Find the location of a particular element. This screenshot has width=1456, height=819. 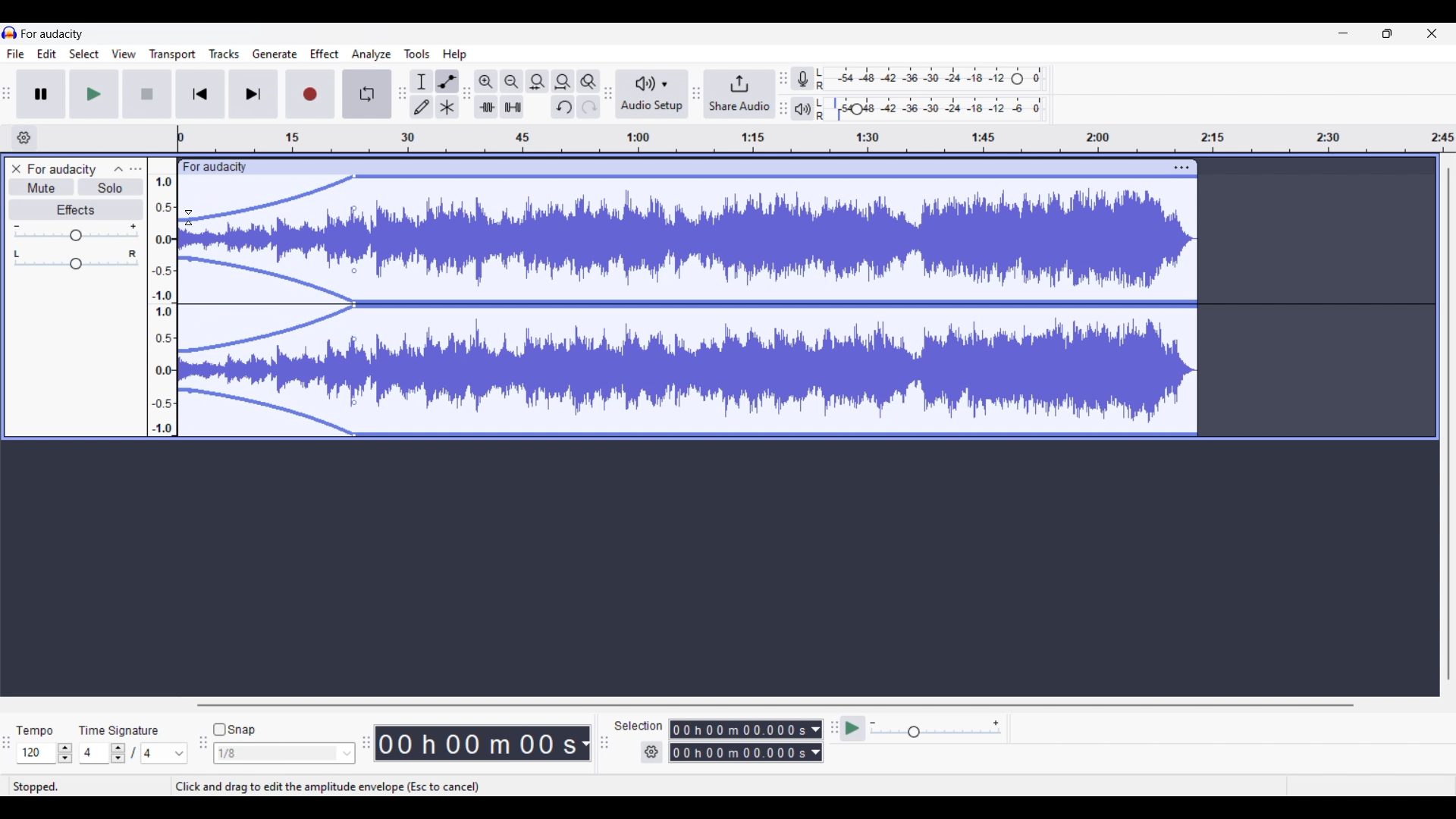

Undo is located at coordinates (563, 107).